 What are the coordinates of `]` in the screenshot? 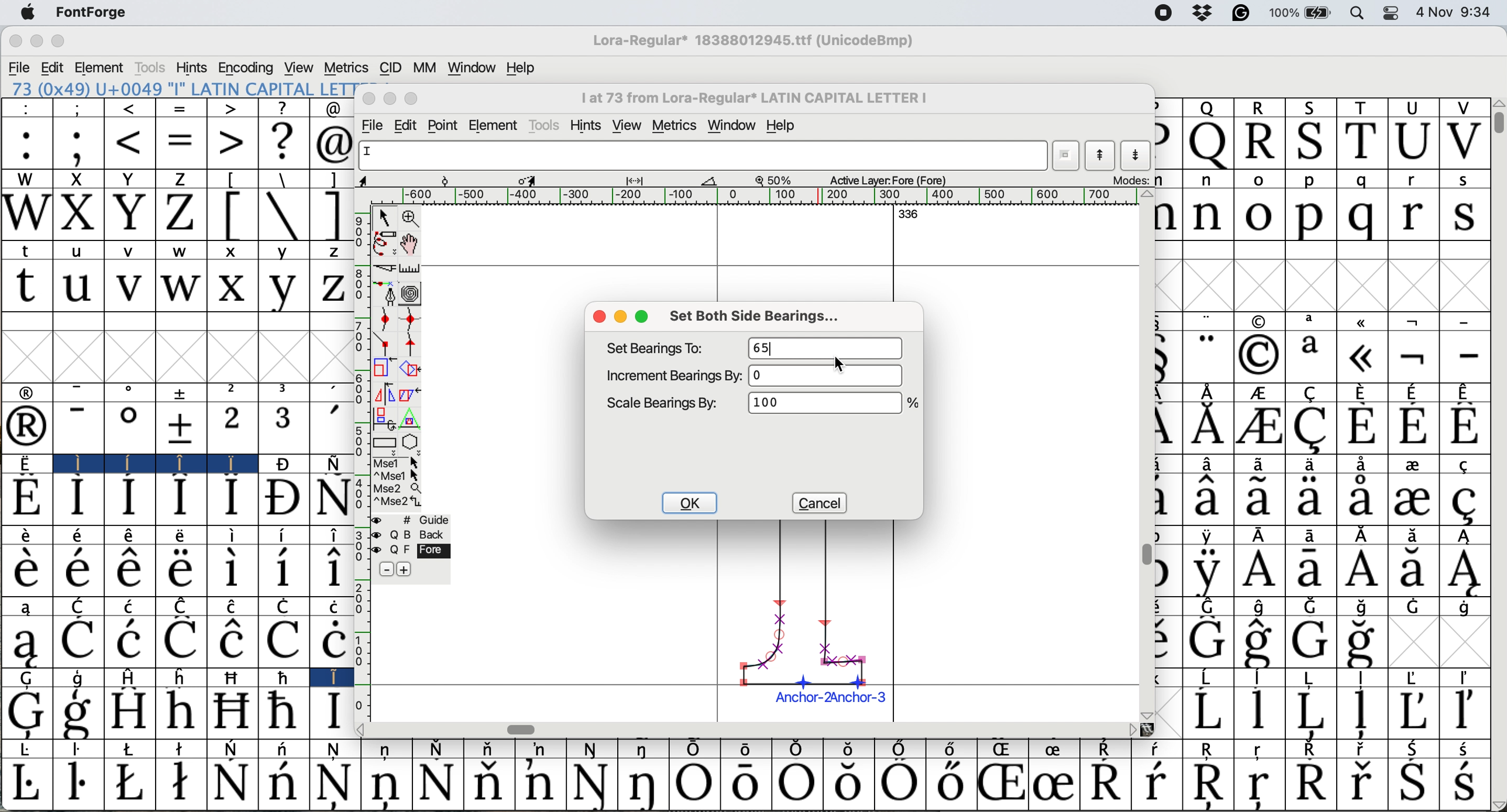 It's located at (333, 180).